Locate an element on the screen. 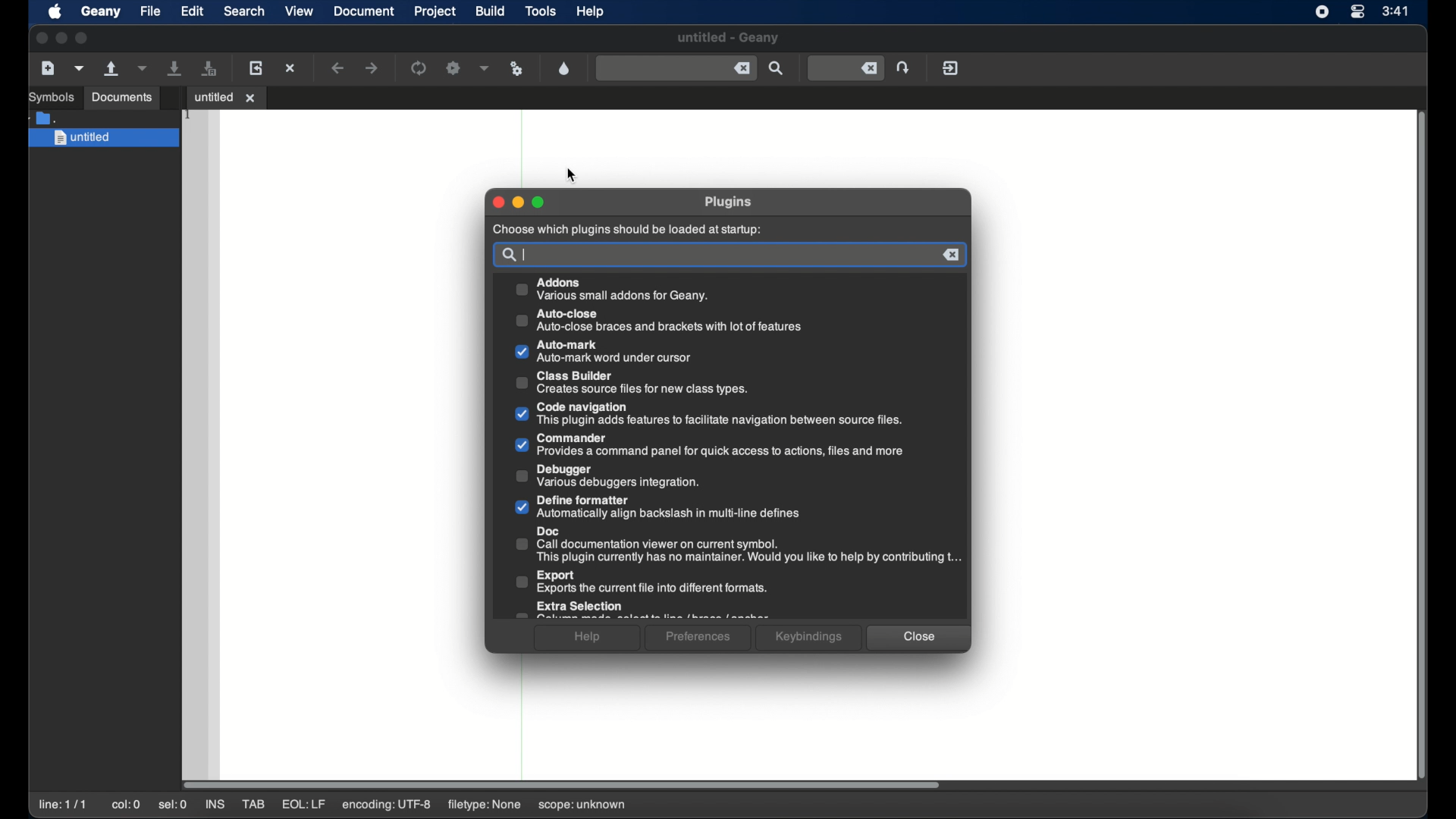  tab is located at coordinates (255, 805).